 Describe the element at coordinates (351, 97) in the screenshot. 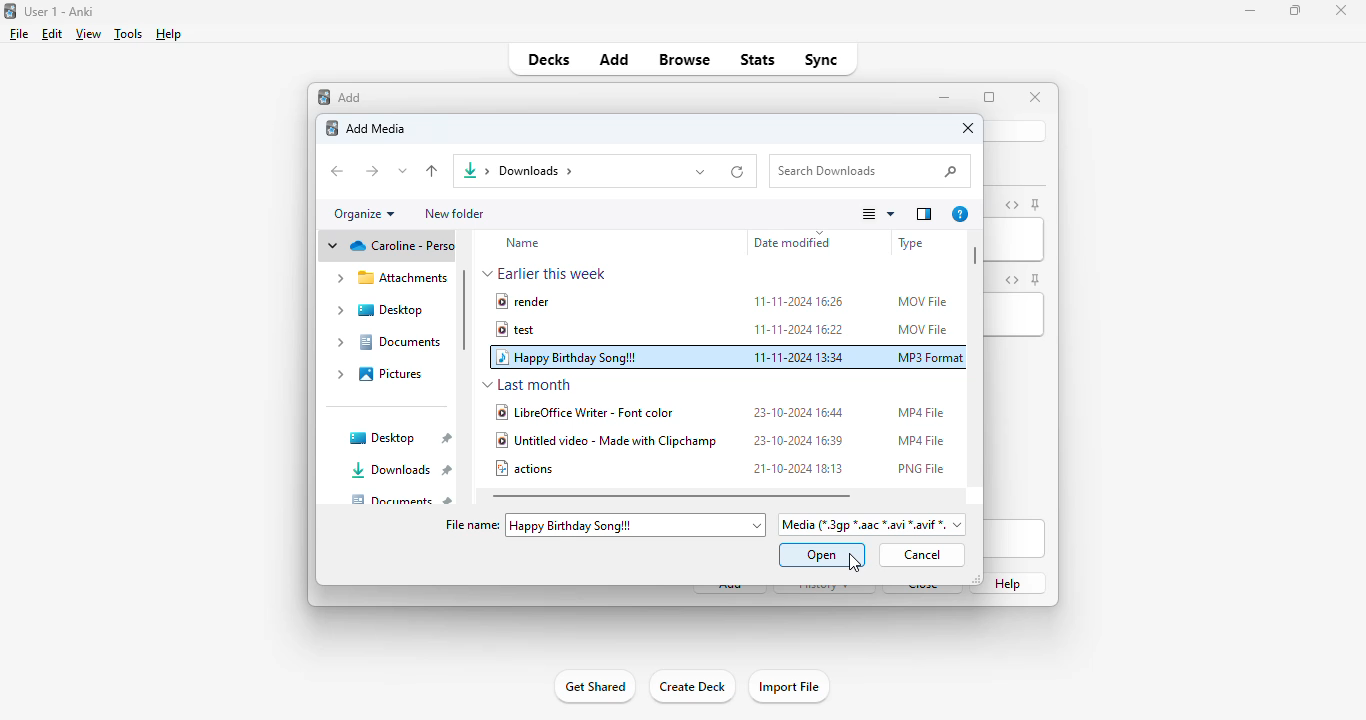

I see `add` at that location.